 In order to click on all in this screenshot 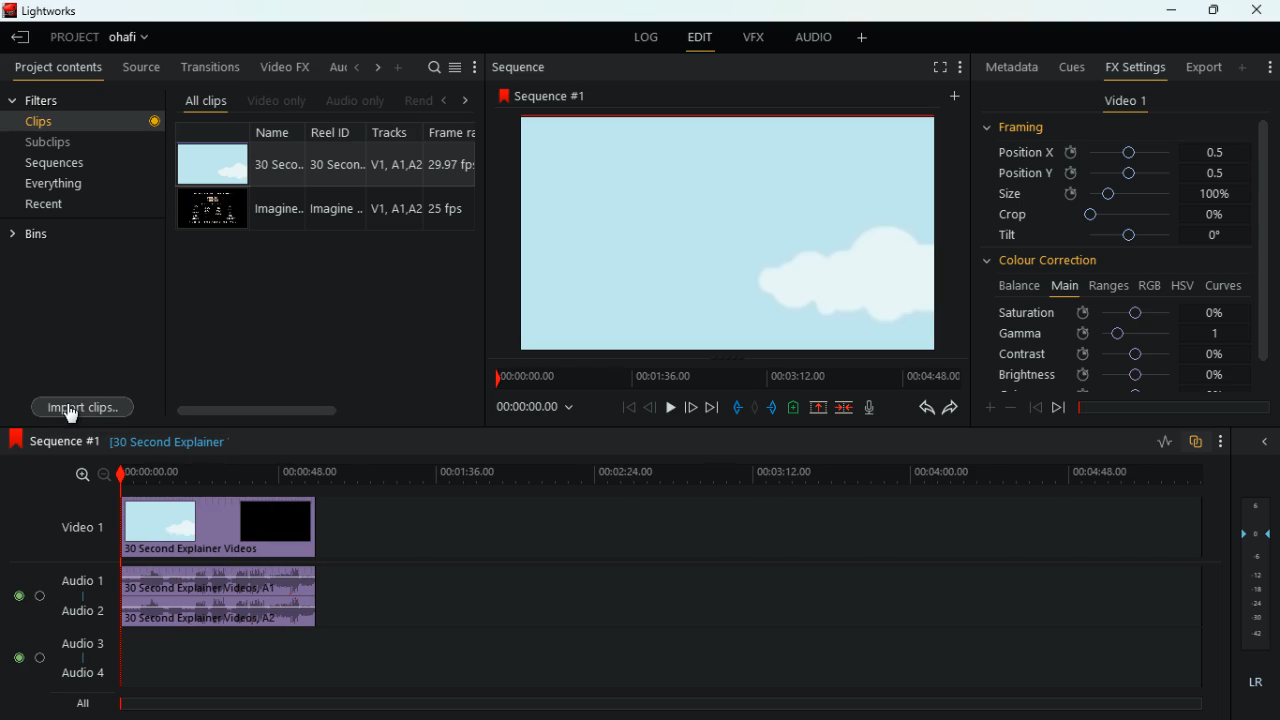, I will do `click(78, 702)`.